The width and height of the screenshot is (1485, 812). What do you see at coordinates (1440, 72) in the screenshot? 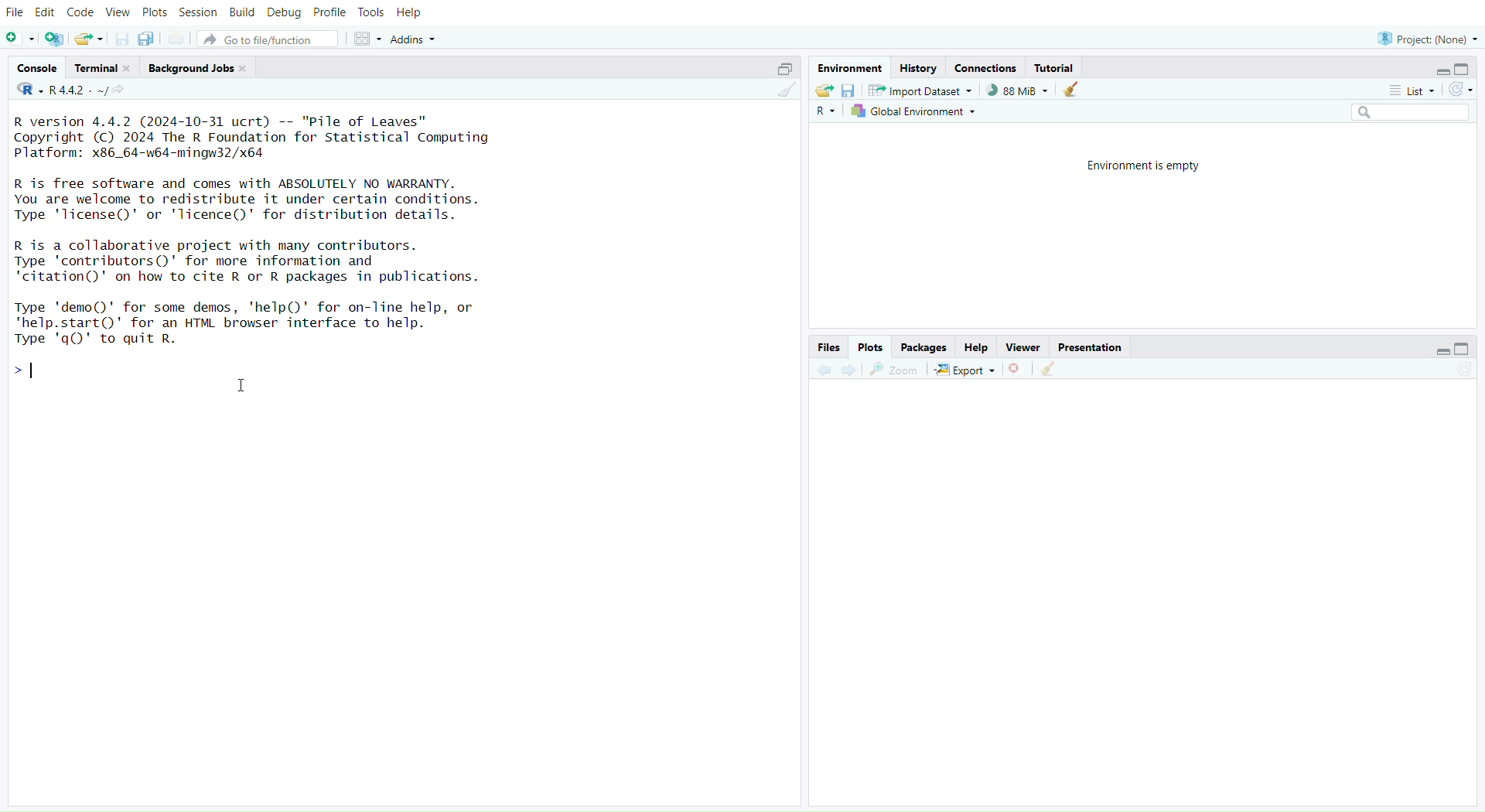
I see `expand` at bounding box center [1440, 72].